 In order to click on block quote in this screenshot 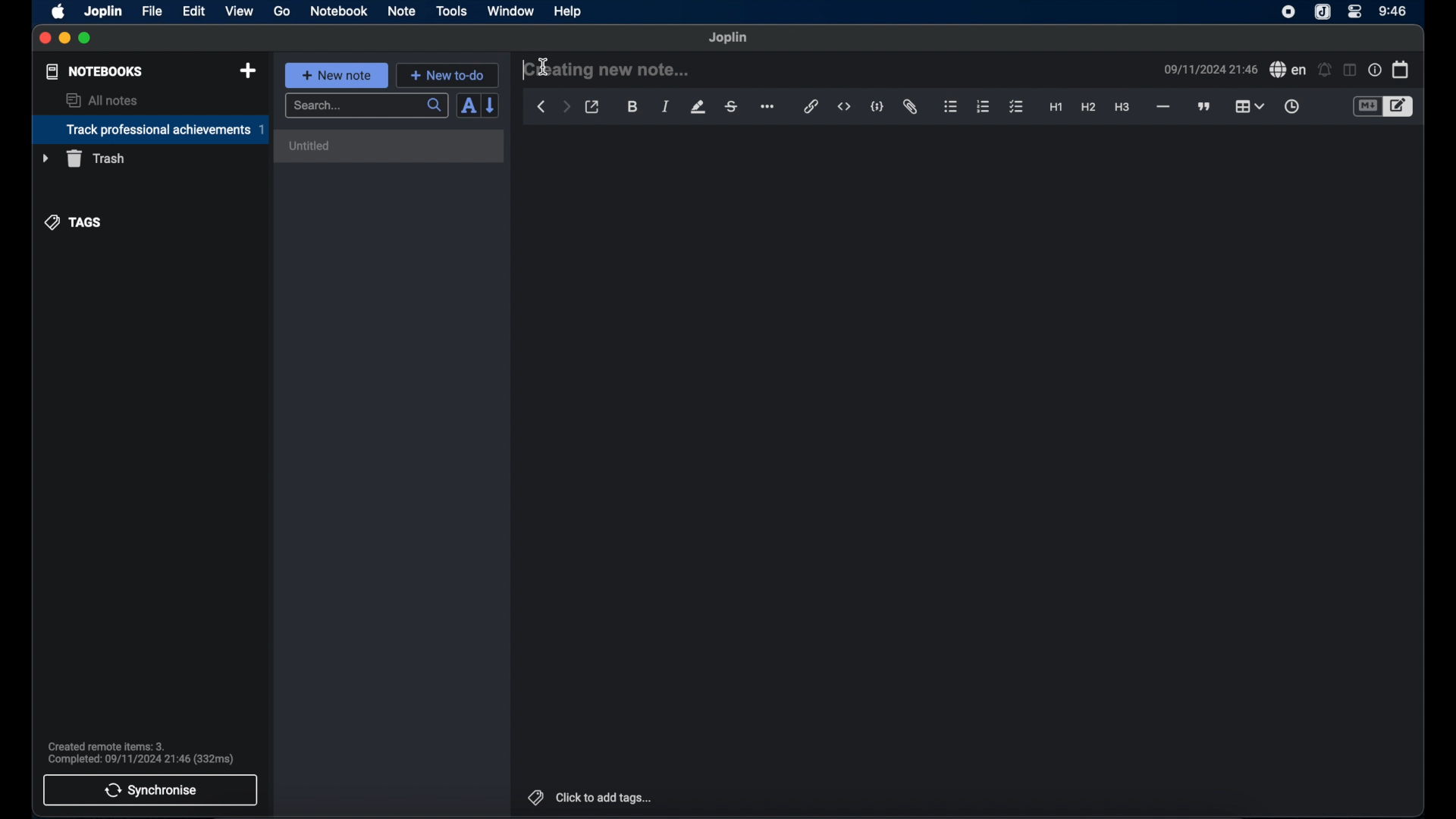, I will do `click(1205, 106)`.